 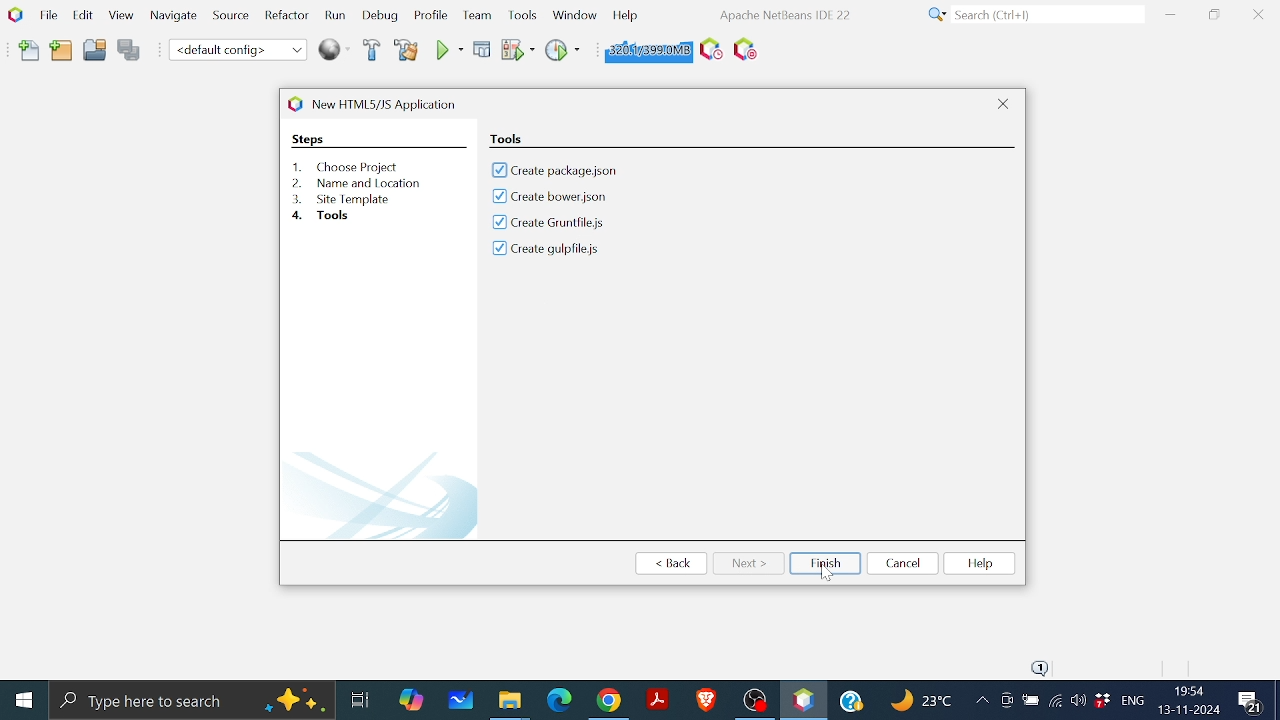 I want to click on Add folder, so click(x=61, y=49).